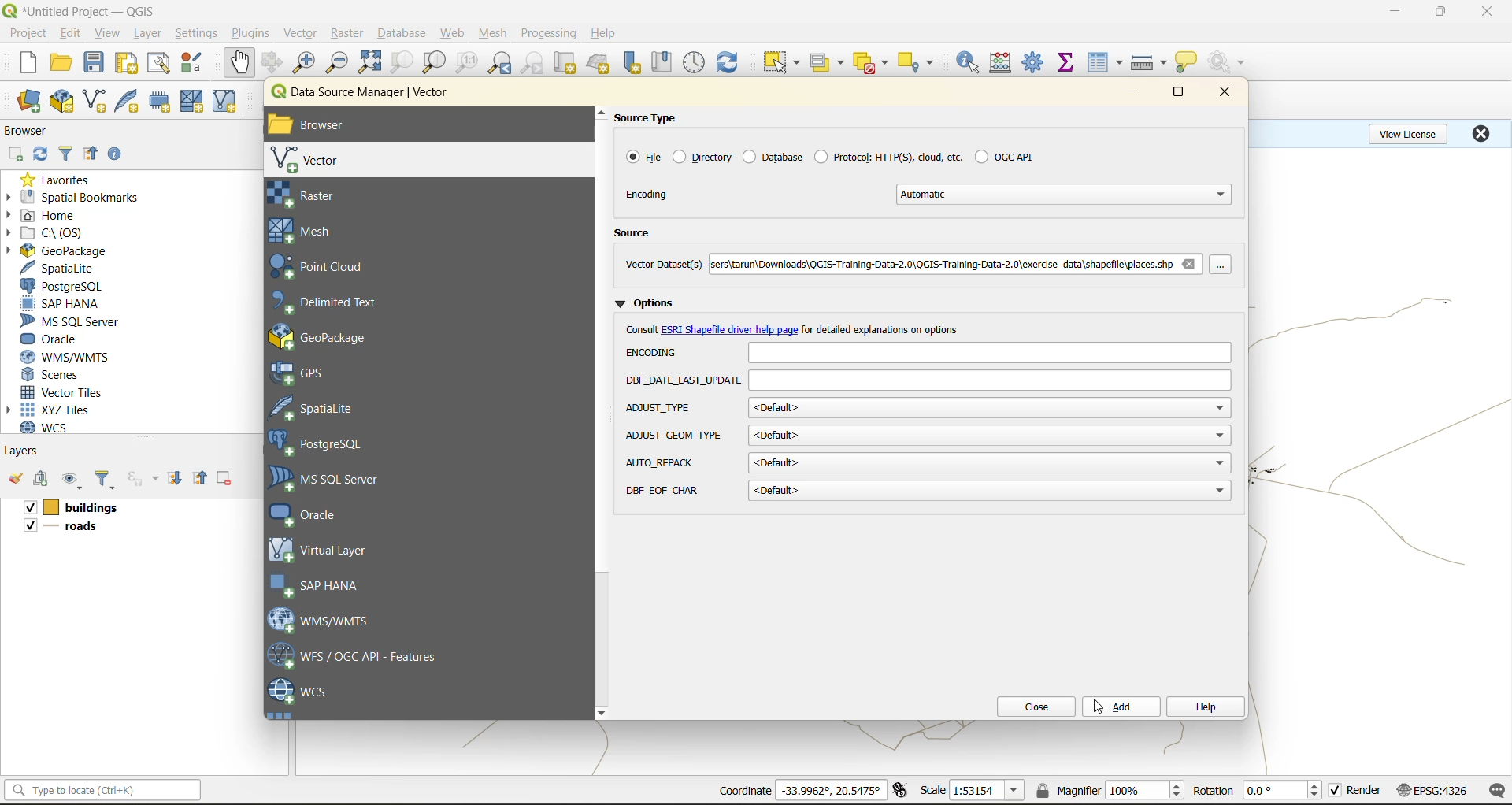 This screenshot has width=1512, height=805. What do you see at coordinates (1213, 791) in the screenshot?
I see `rotation` at bounding box center [1213, 791].